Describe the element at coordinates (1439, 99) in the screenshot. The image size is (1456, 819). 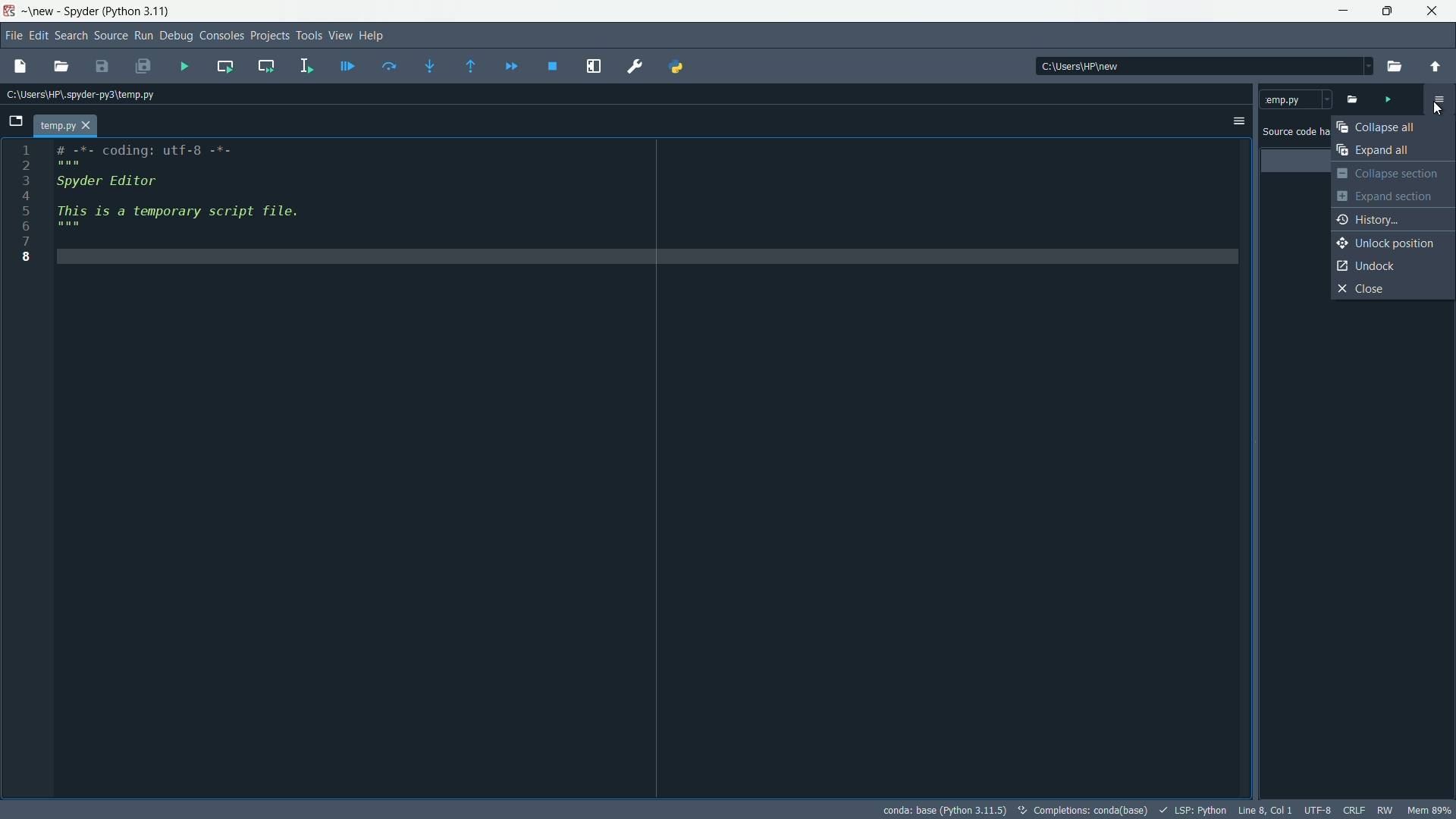
I see `code analysis settings` at that location.